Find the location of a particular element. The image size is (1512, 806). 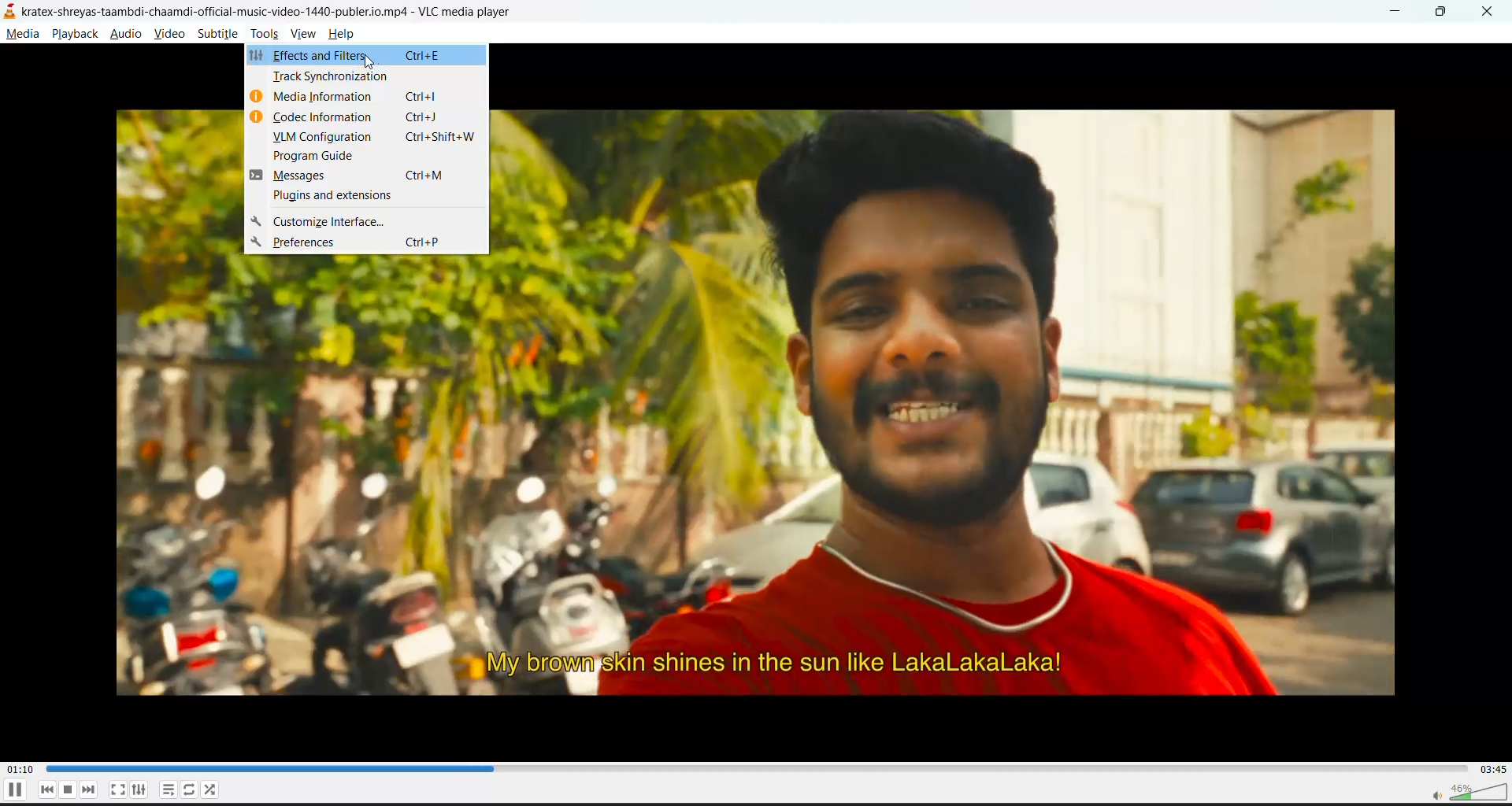

kratex-shreyas-taambdi-chaamdi-official-music-video-1440-publer.io.mp4 - VLC media player is located at coordinates (280, 12).